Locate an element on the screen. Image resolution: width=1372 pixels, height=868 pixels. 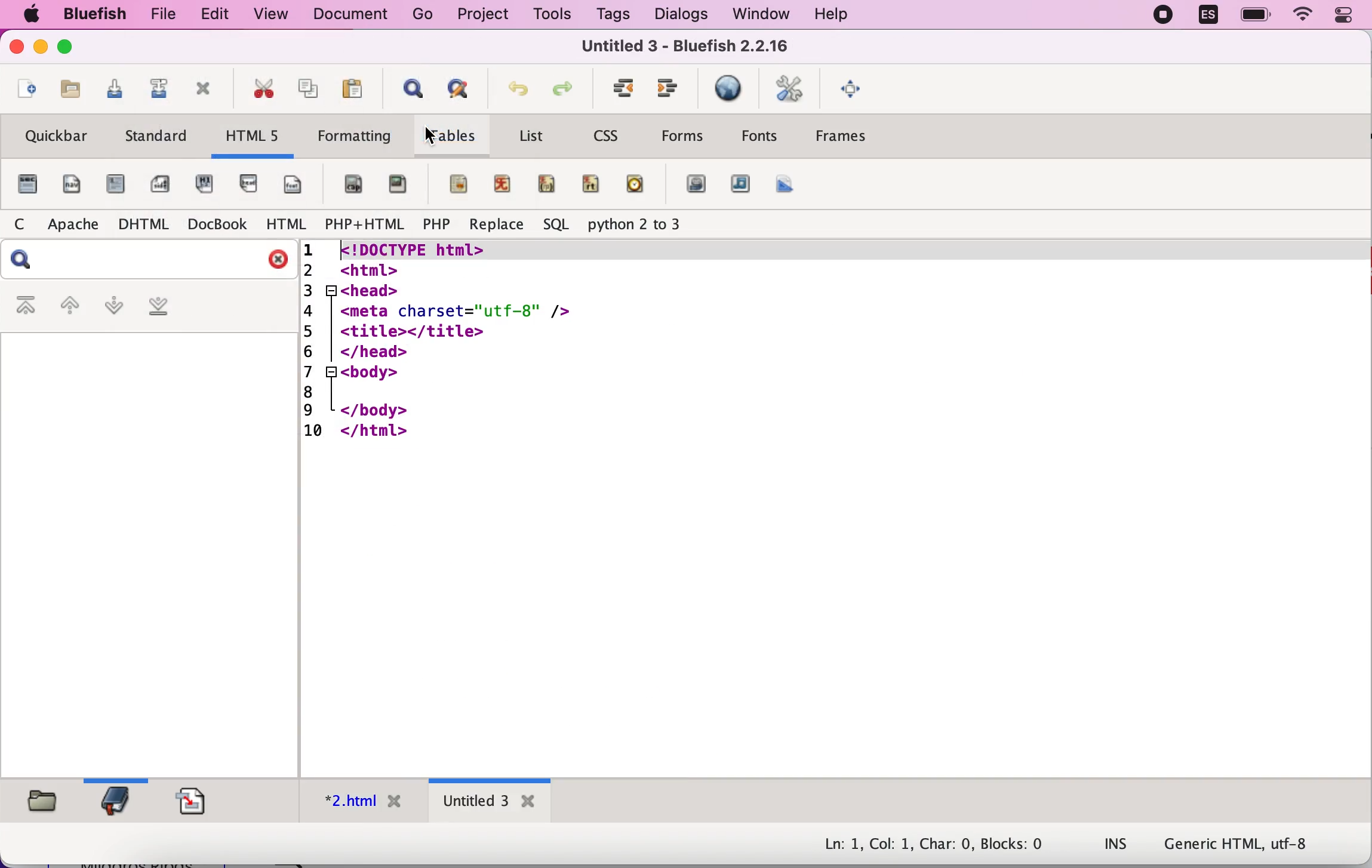
fullscreen is located at coordinates (853, 88).